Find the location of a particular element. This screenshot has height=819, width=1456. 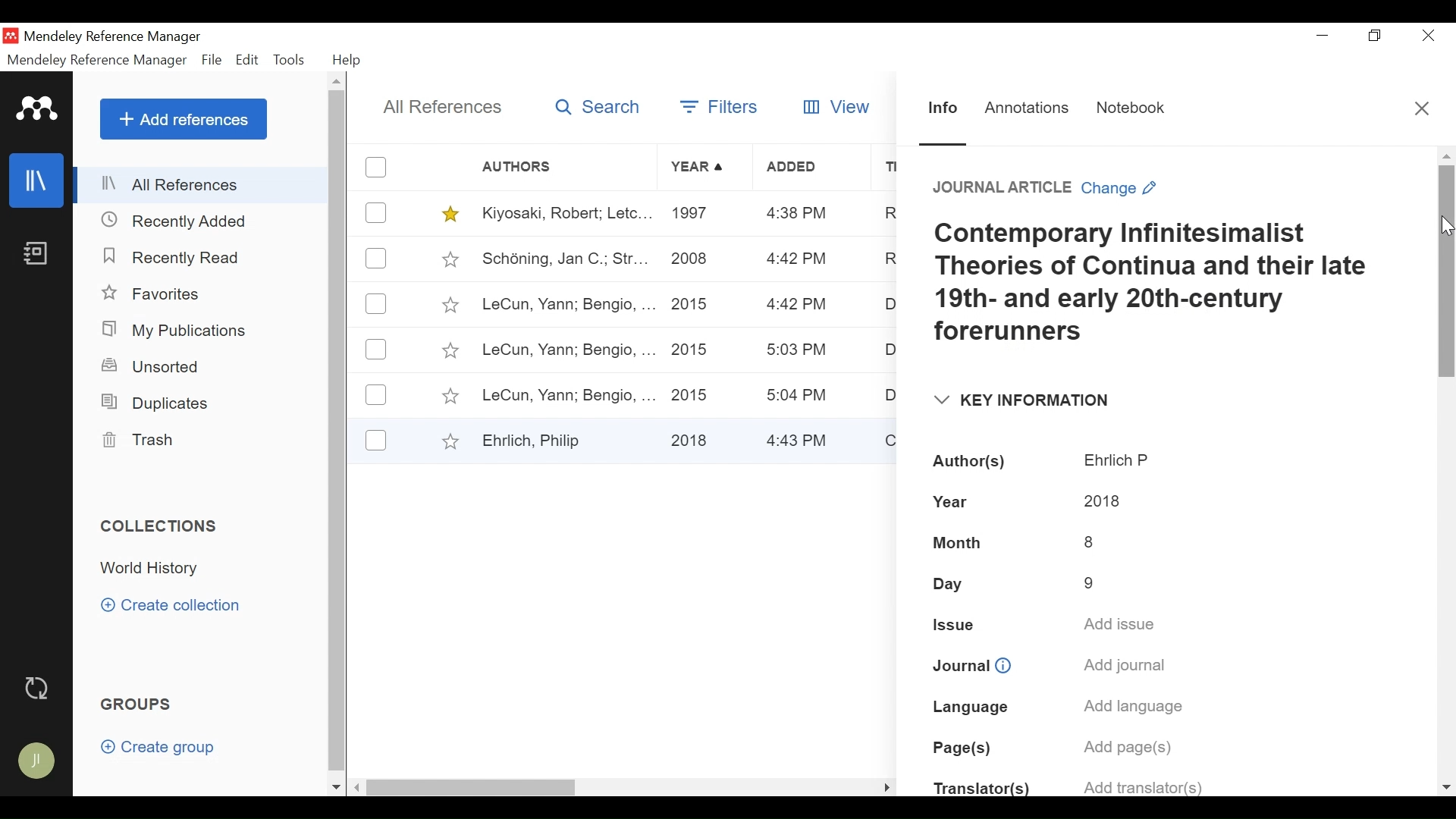

(un)select favorite is located at coordinates (449, 397).